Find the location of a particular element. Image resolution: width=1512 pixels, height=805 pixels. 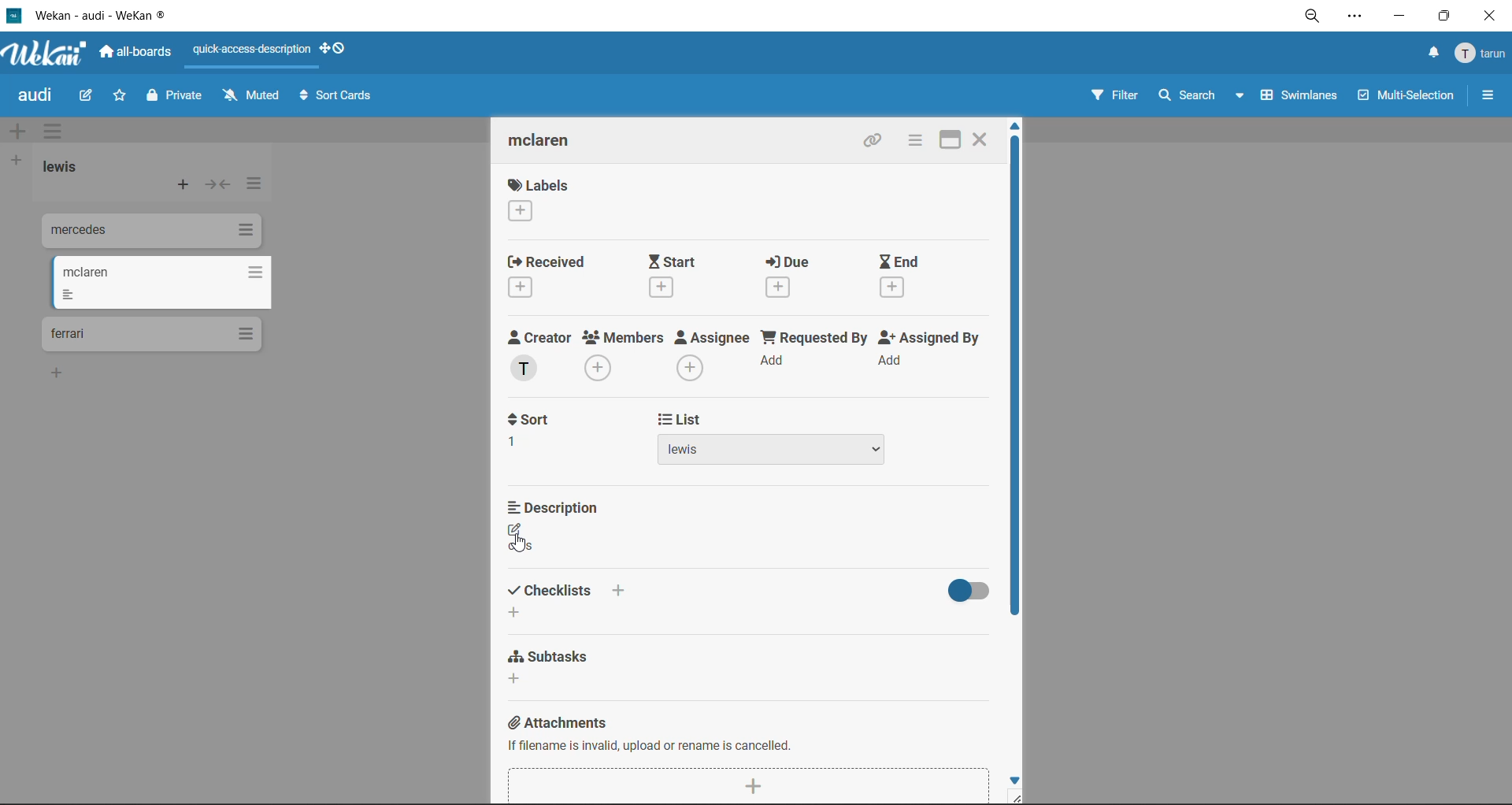

requested by is located at coordinates (813, 354).